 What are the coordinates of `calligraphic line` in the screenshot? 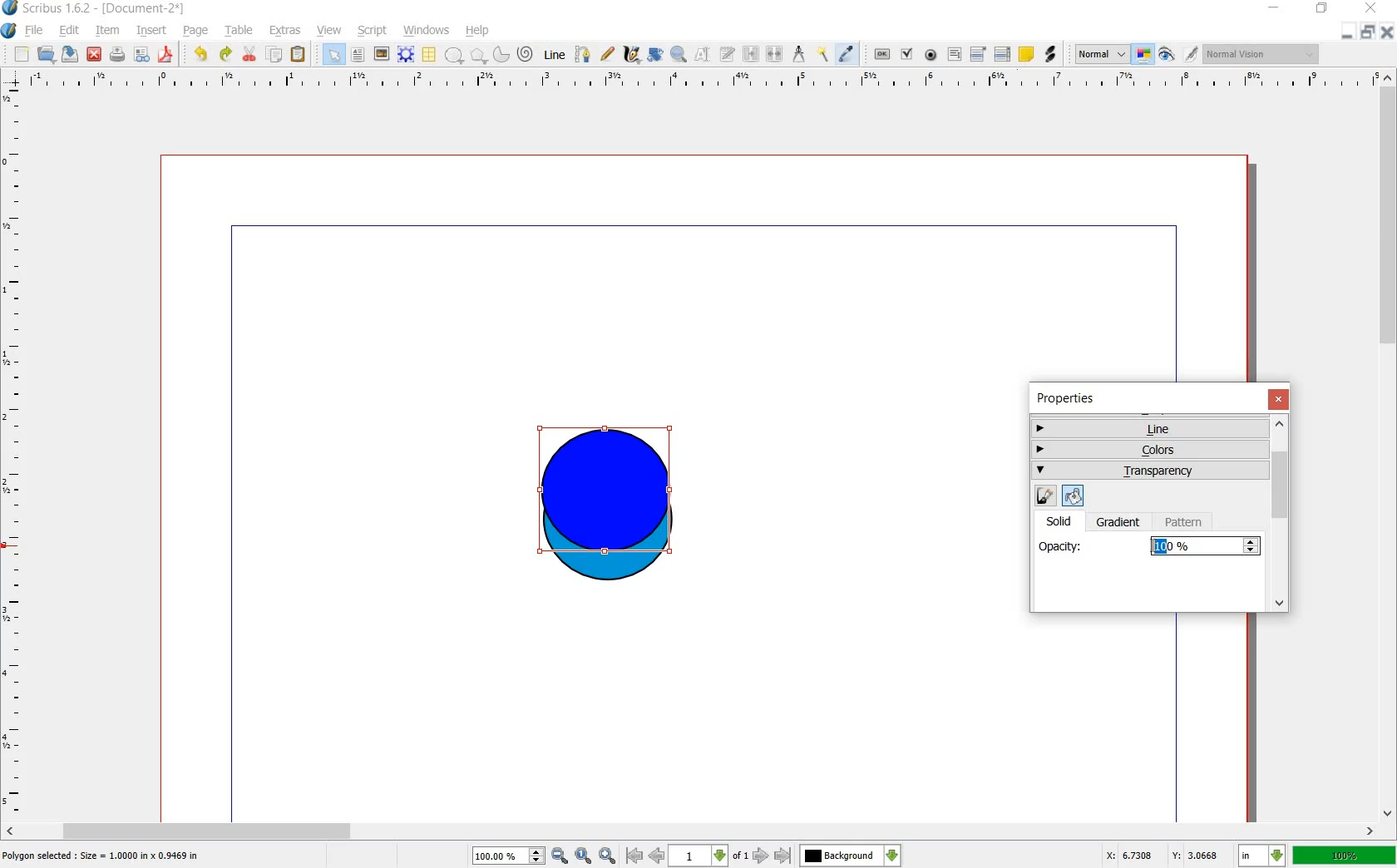 It's located at (631, 57).